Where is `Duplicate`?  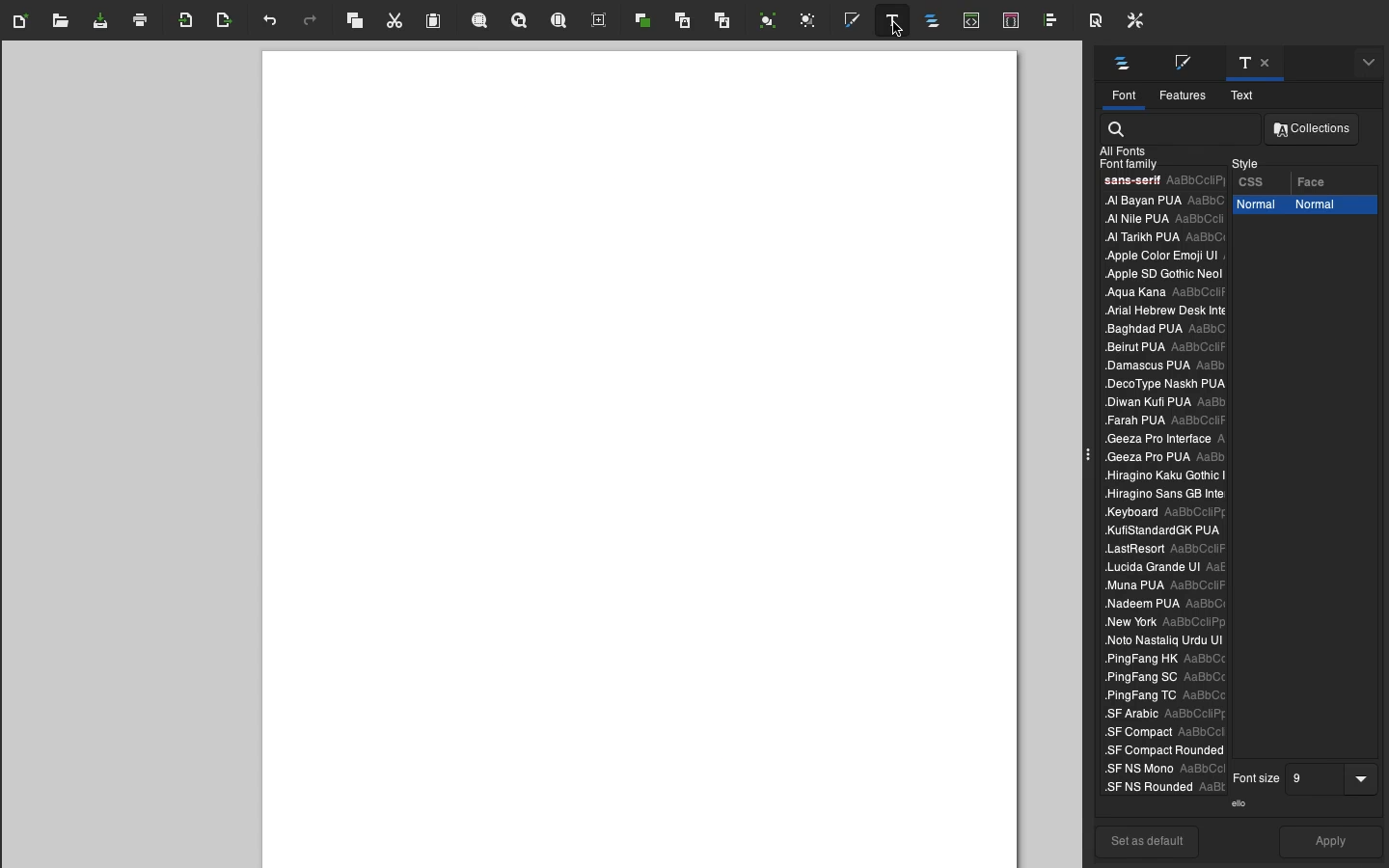
Duplicate is located at coordinates (643, 21).